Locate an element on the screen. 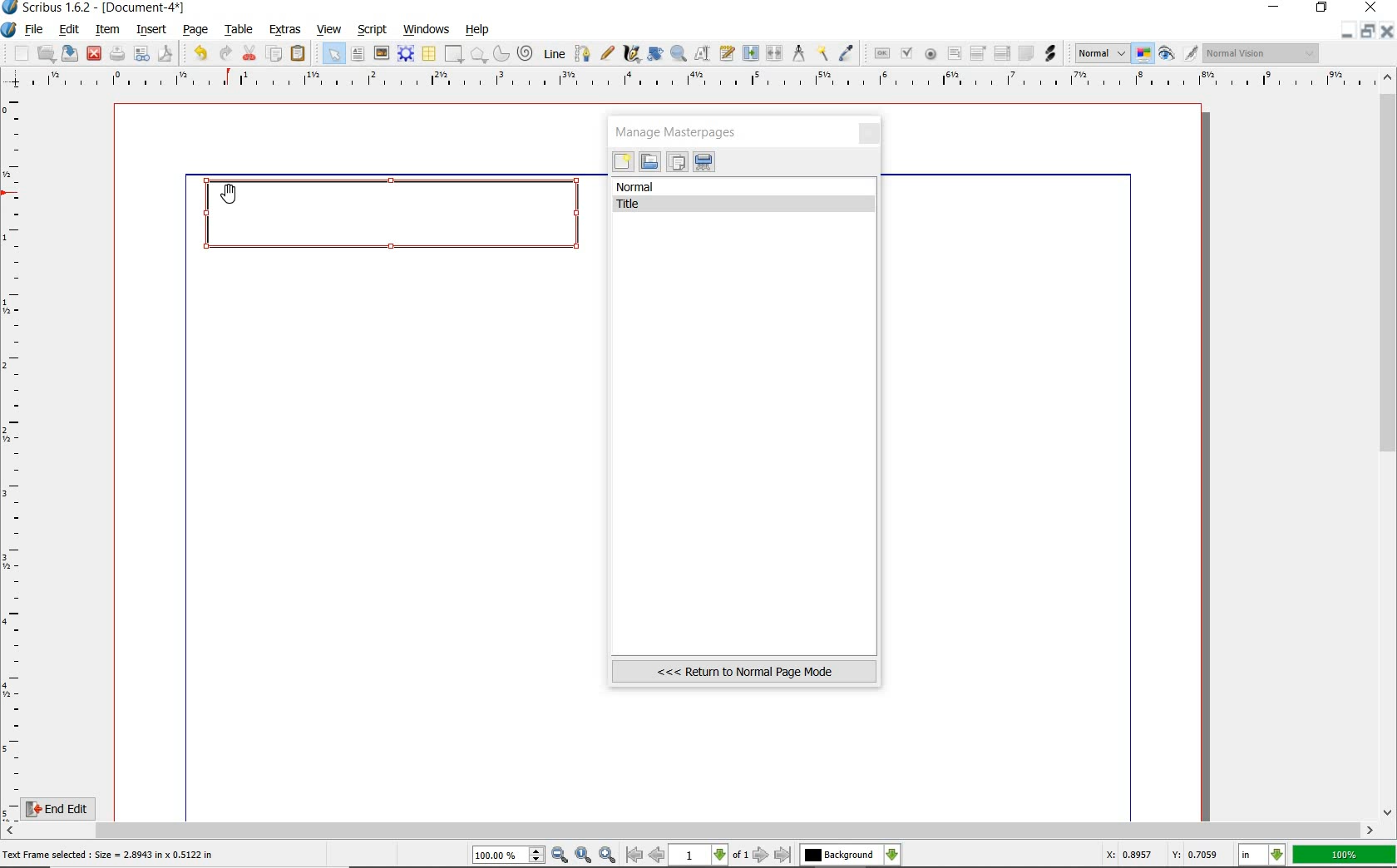 The height and width of the screenshot is (868, 1397). close is located at coordinates (94, 52).